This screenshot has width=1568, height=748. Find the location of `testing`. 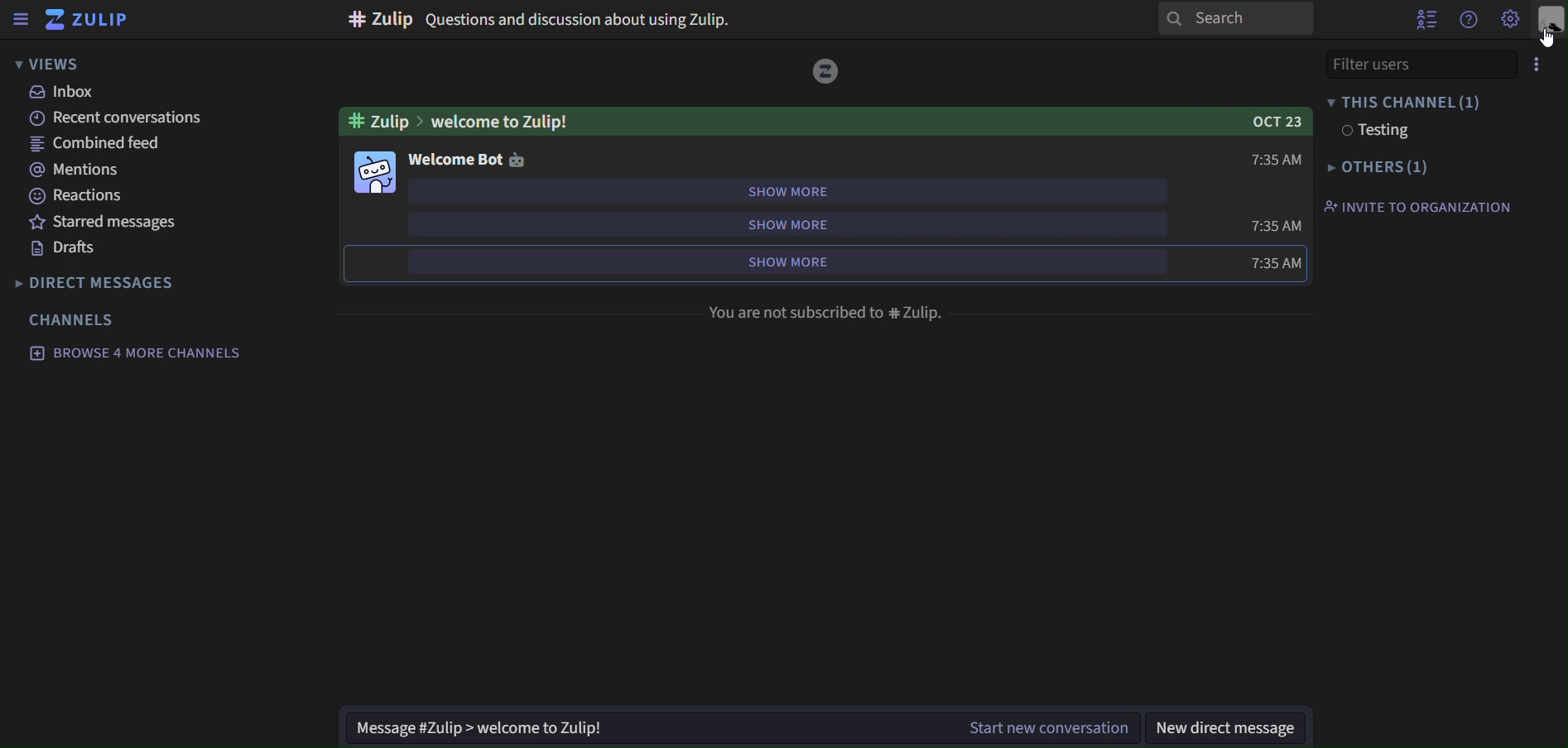

testing is located at coordinates (1372, 132).